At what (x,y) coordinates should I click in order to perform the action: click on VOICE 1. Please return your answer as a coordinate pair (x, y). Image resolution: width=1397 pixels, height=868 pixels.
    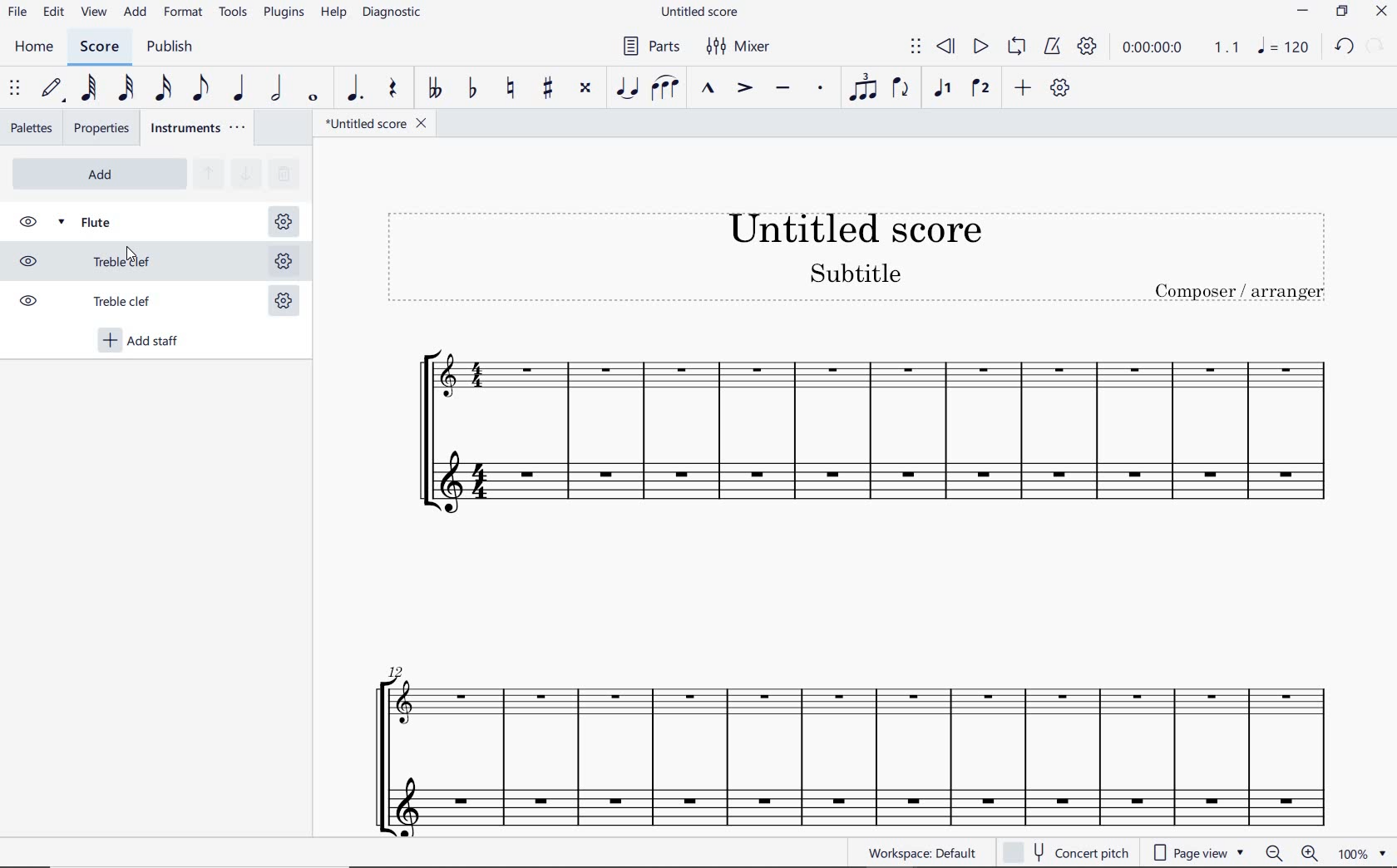
    Looking at the image, I should click on (941, 90).